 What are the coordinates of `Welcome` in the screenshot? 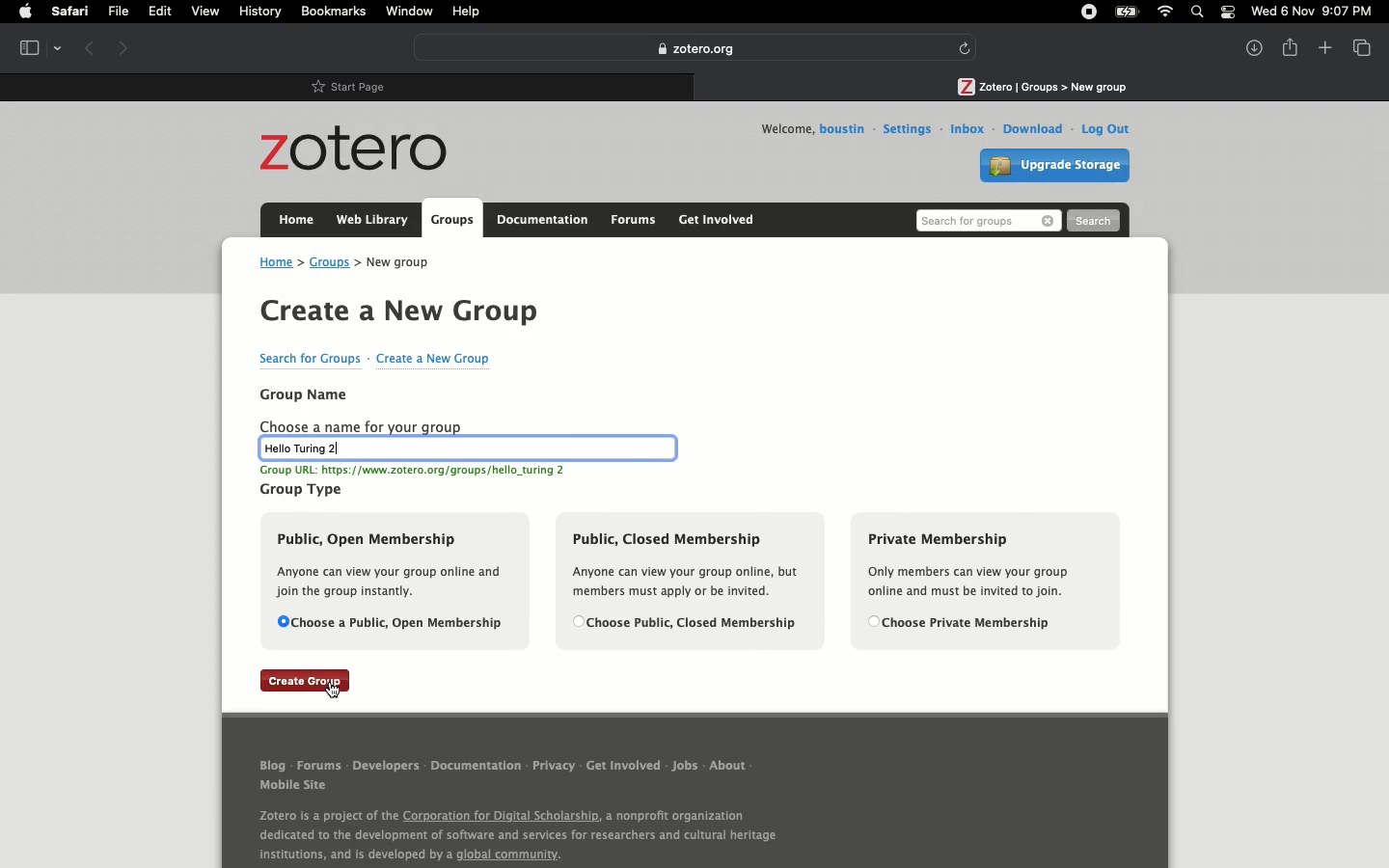 It's located at (781, 128).